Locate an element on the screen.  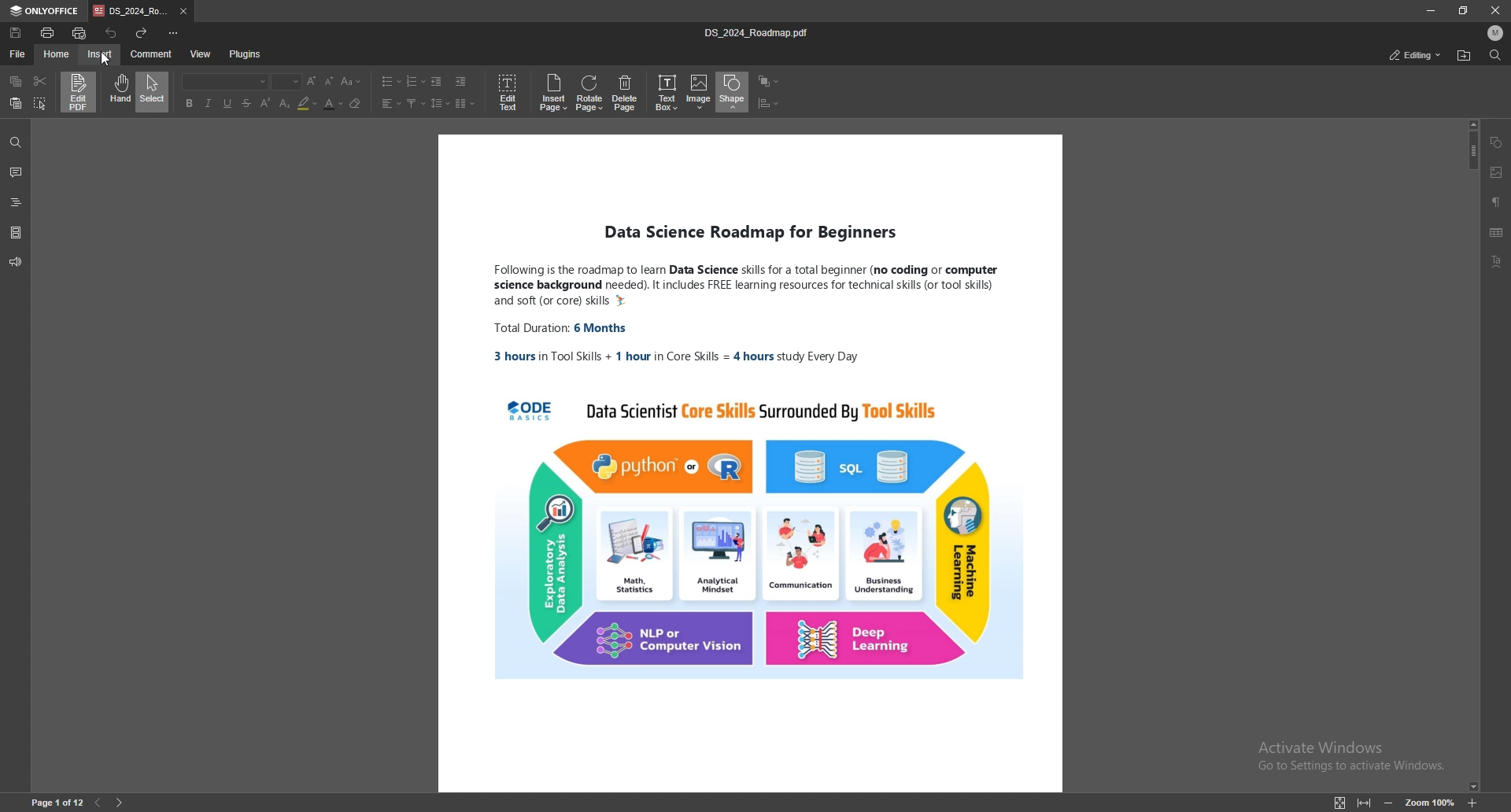
italic is located at coordinates (207, 103).